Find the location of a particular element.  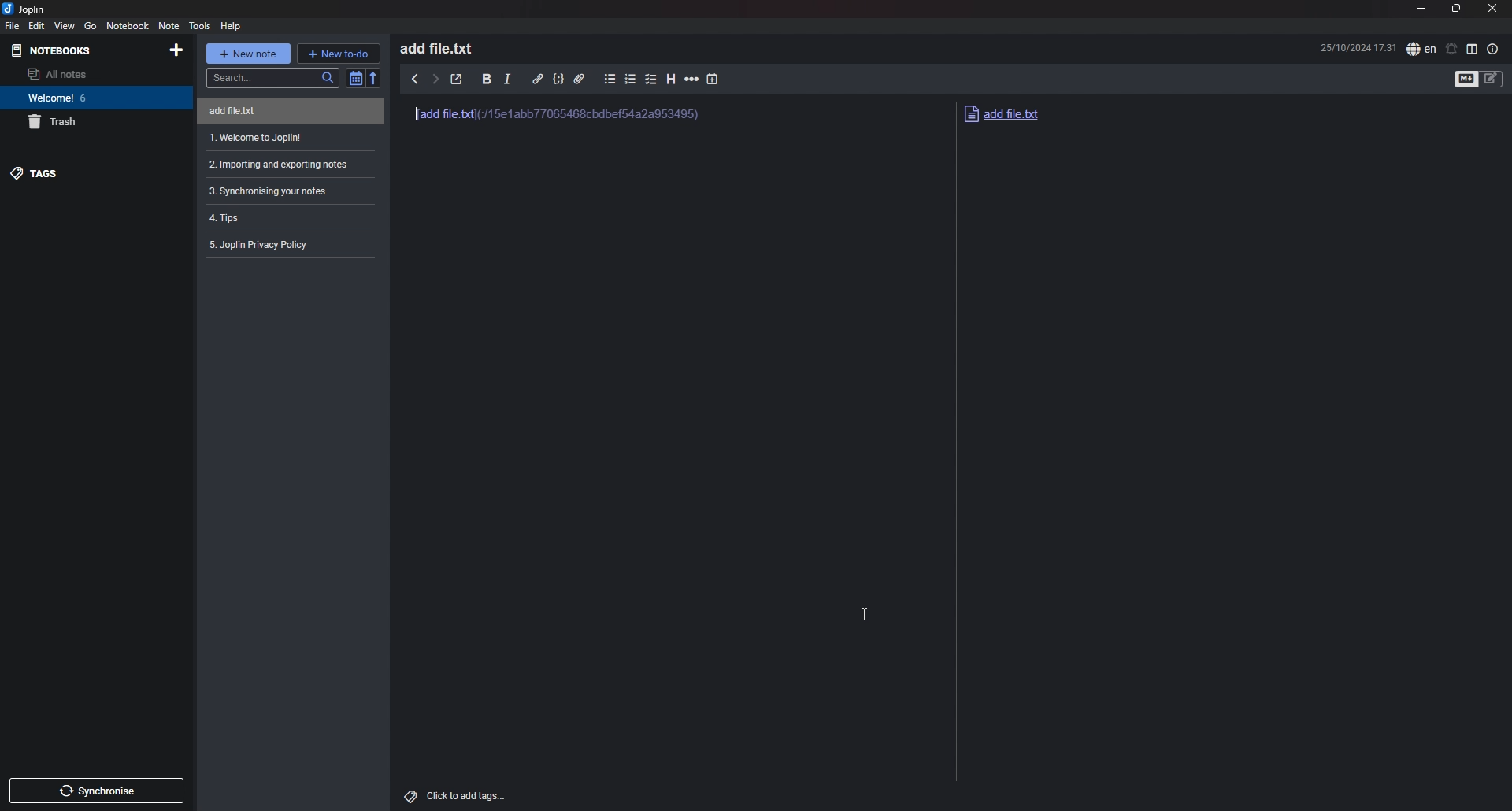

note properties is located at coordinates (1492, 50).